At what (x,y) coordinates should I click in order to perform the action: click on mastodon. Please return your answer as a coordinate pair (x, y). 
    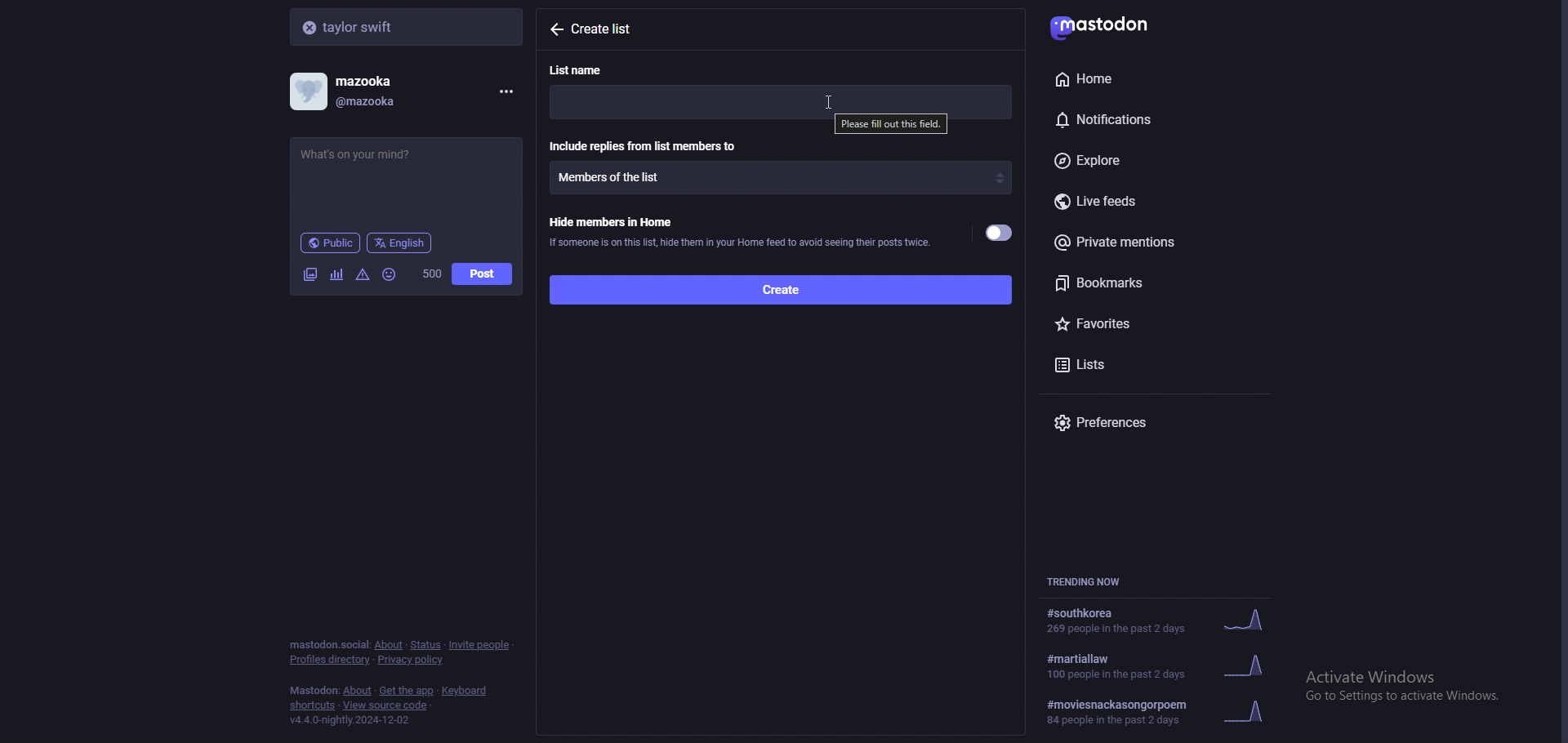
    Looking at the image, I should click on (1111, 24).